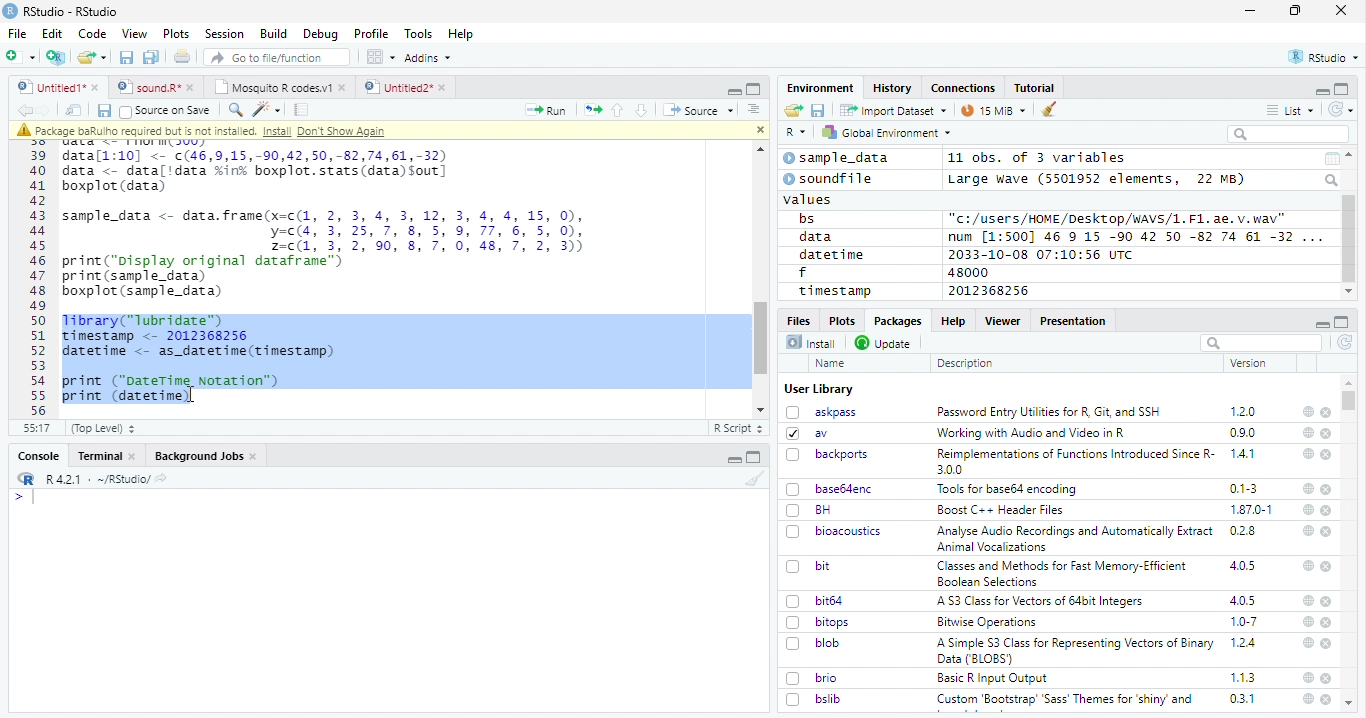  I want to click on 55:17, so click(38, 428).